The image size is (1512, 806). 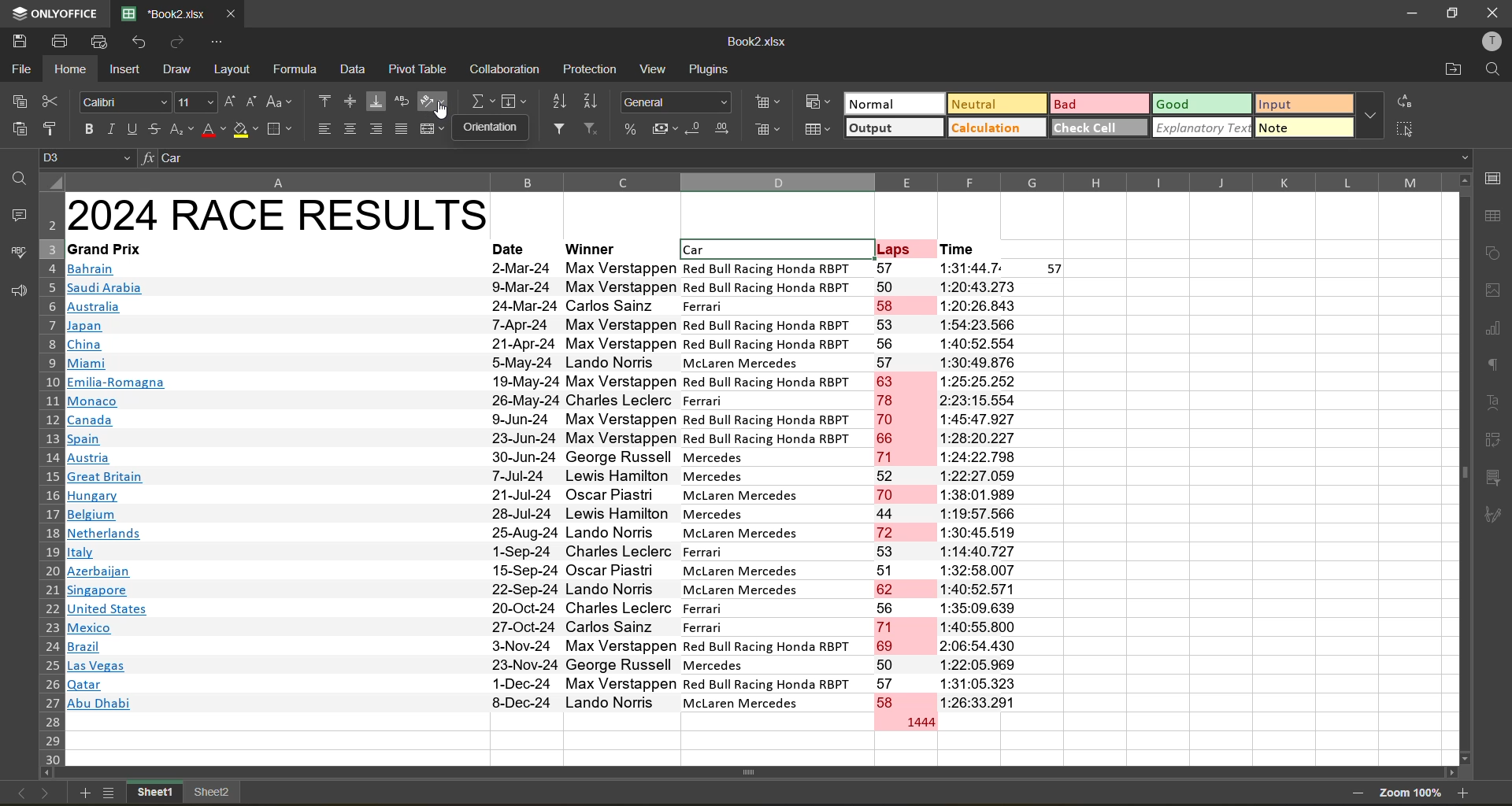 What do you see at coordinates (891, 128) in the screenshot?
I see `output` at bounding box center [891, 128].